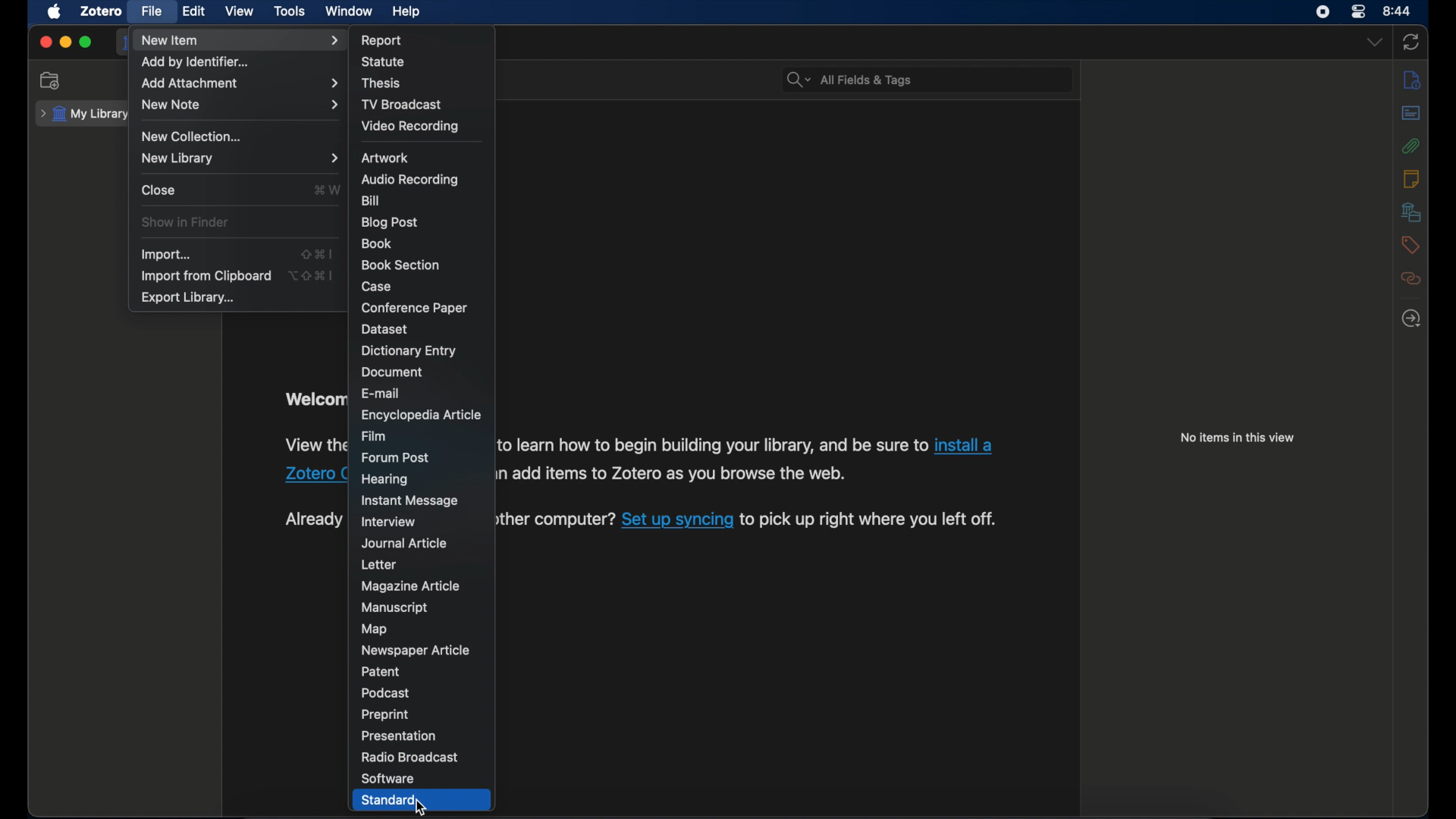  Describe the element at coordinates (391, 800) in the screenshot. I see `standard` at that location.